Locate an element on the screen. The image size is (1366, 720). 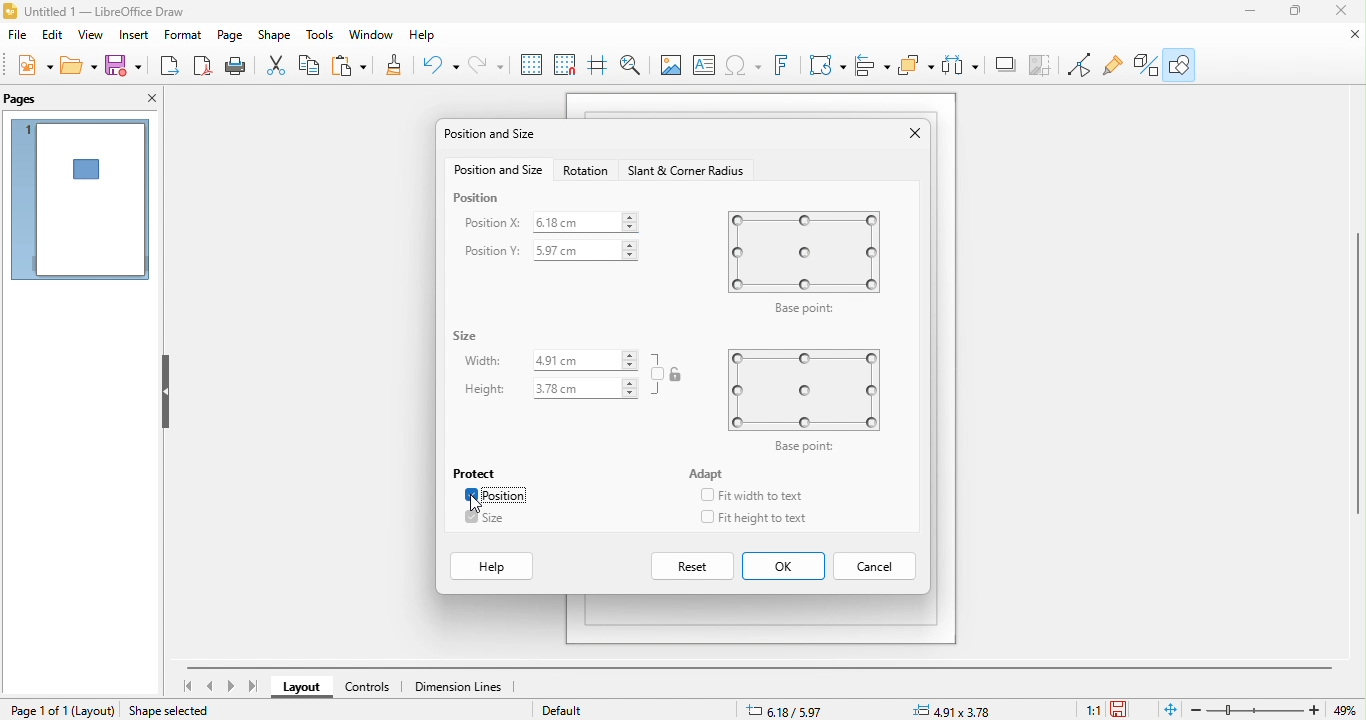
edit is located at coordinates (52, 35).